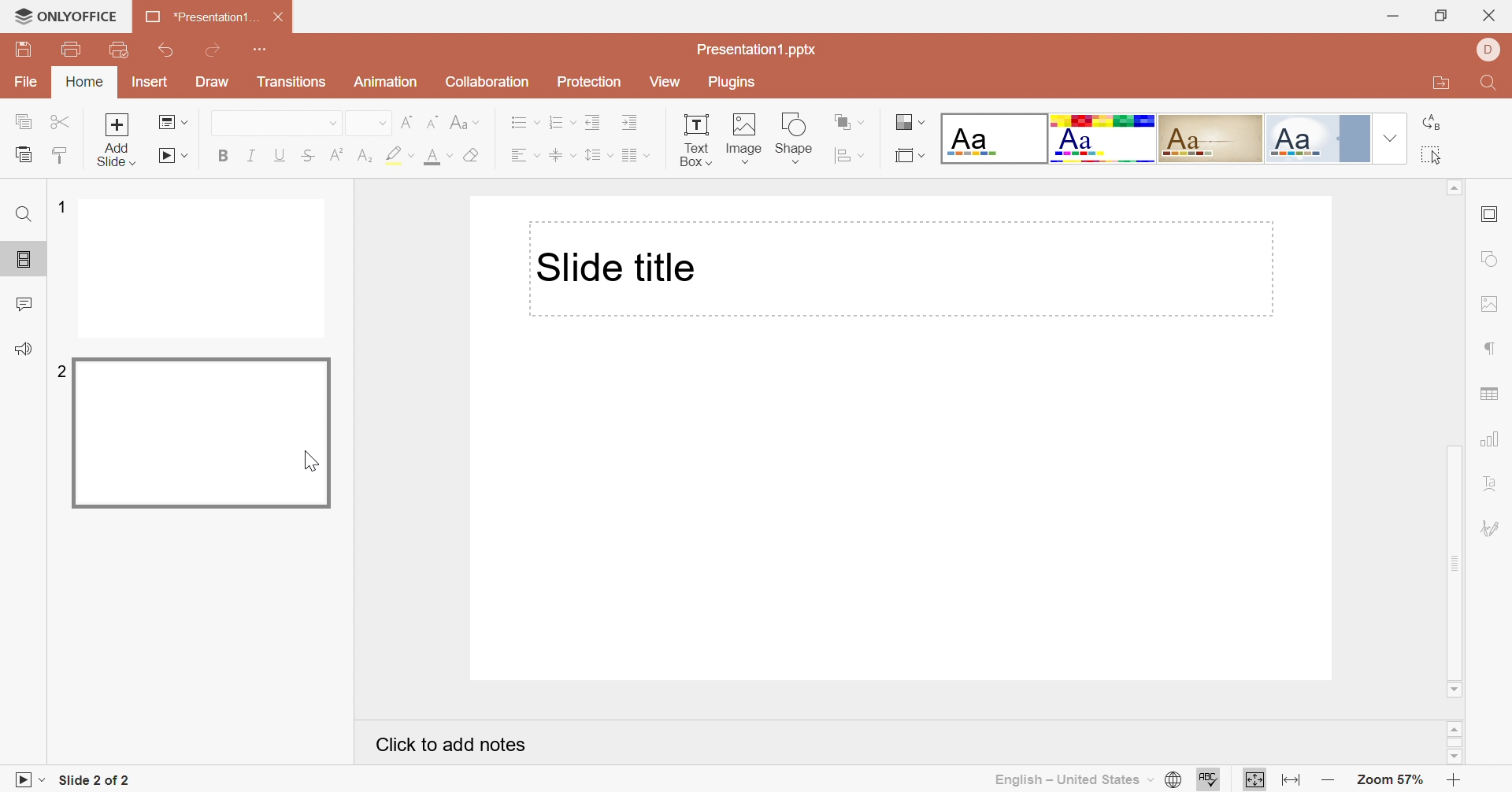  What do you see at coordinates (452, 745) in the screenshot?
I see `Click to add notes` at bounding box center [452, 745].